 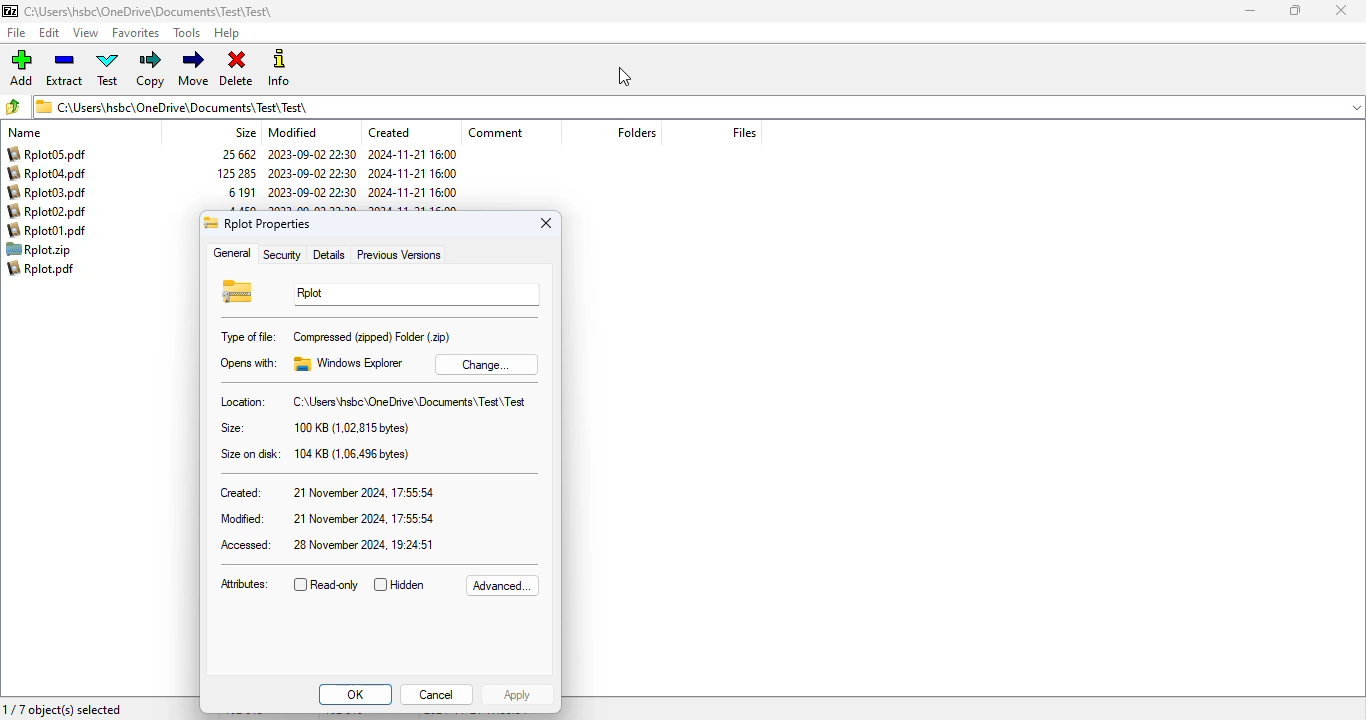 What do you see at coordinates (24, 133) in the screenshot?
I see `name` at bounding box center [24, 133].